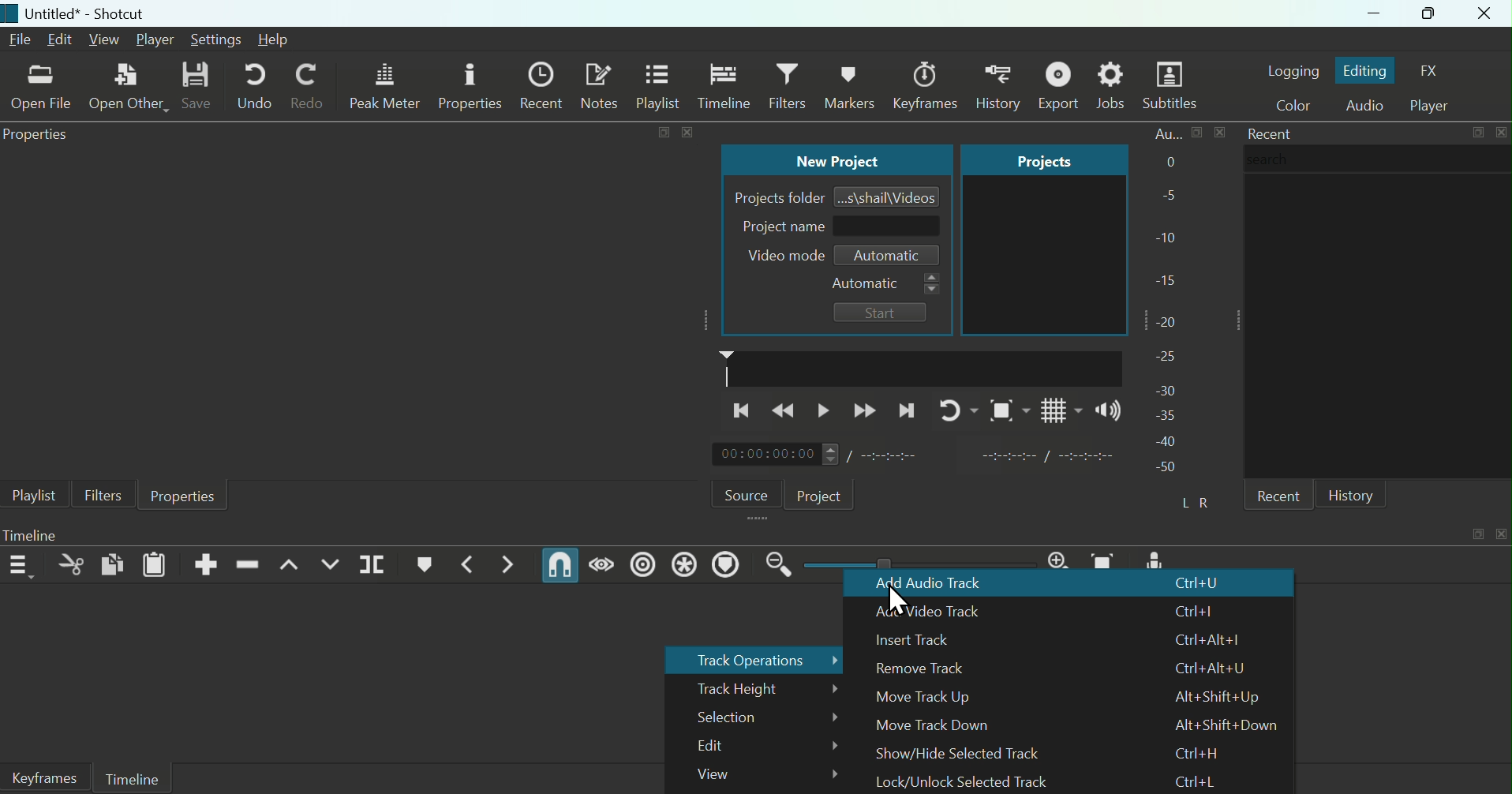  I want to click on Sound, so click(1106, 410).